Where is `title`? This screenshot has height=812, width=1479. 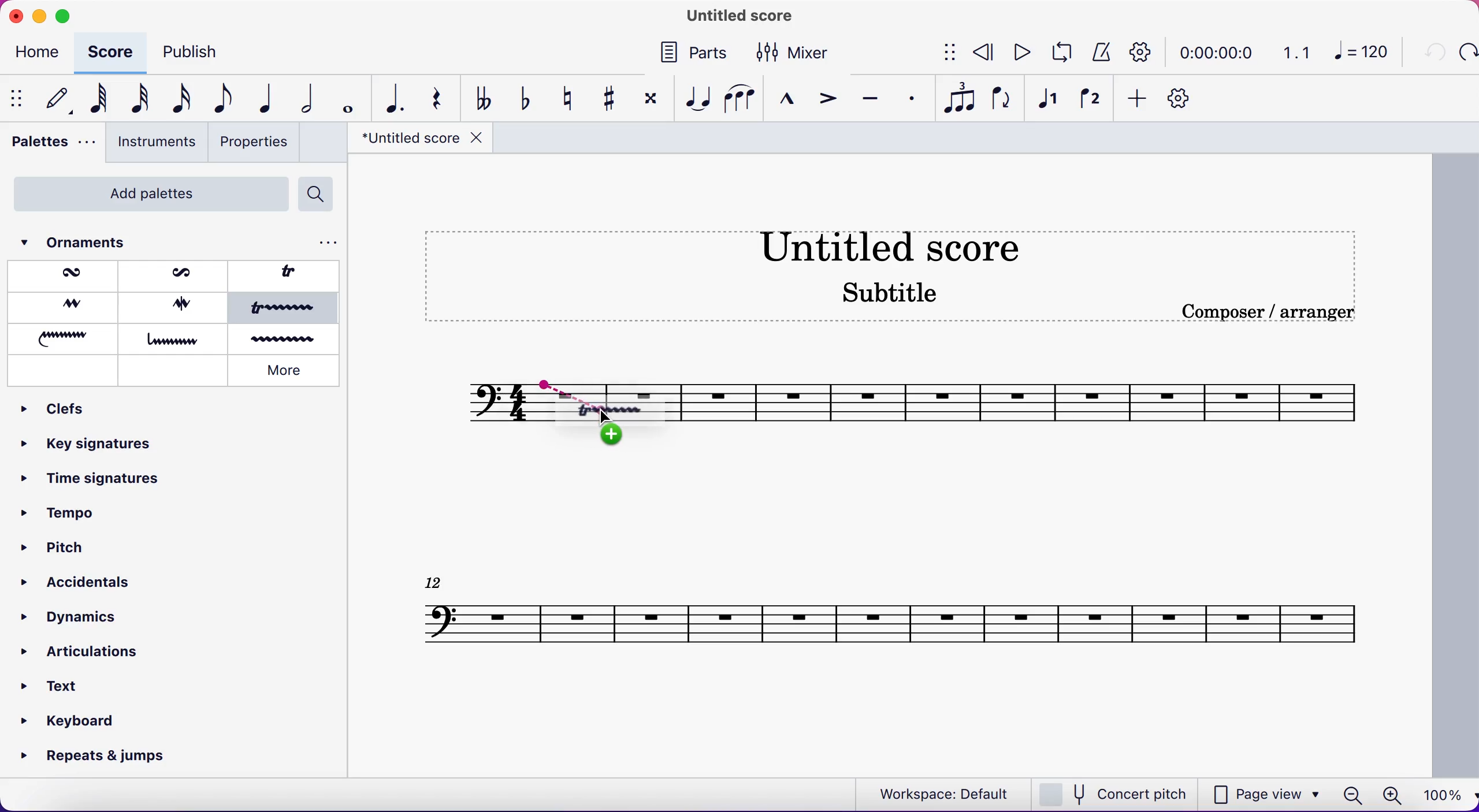
title is located at coordinates (734, 17).